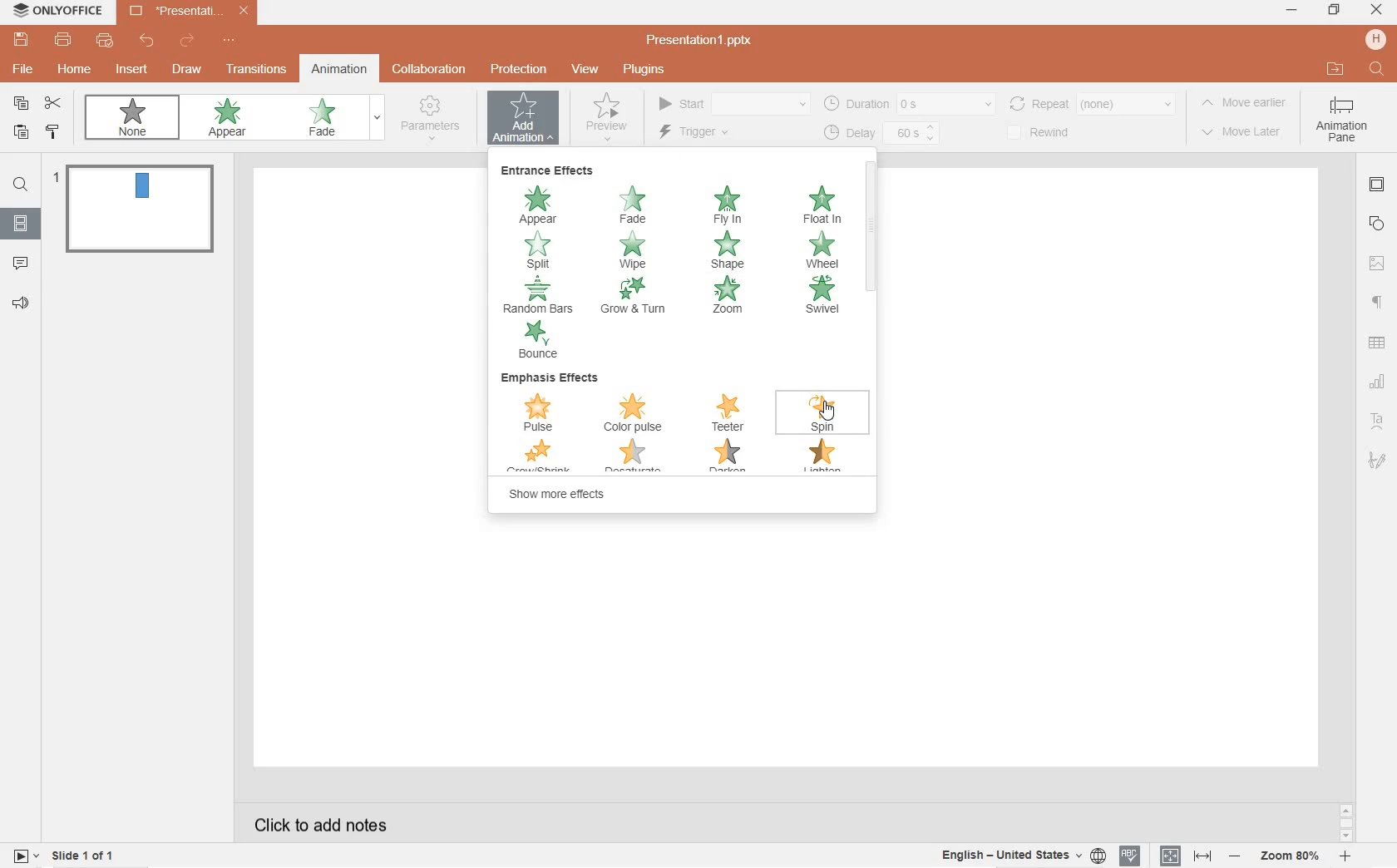 Image resolution: width=1397 pixels, height=868 pixels. I want to click on shape, so click(728, 251).